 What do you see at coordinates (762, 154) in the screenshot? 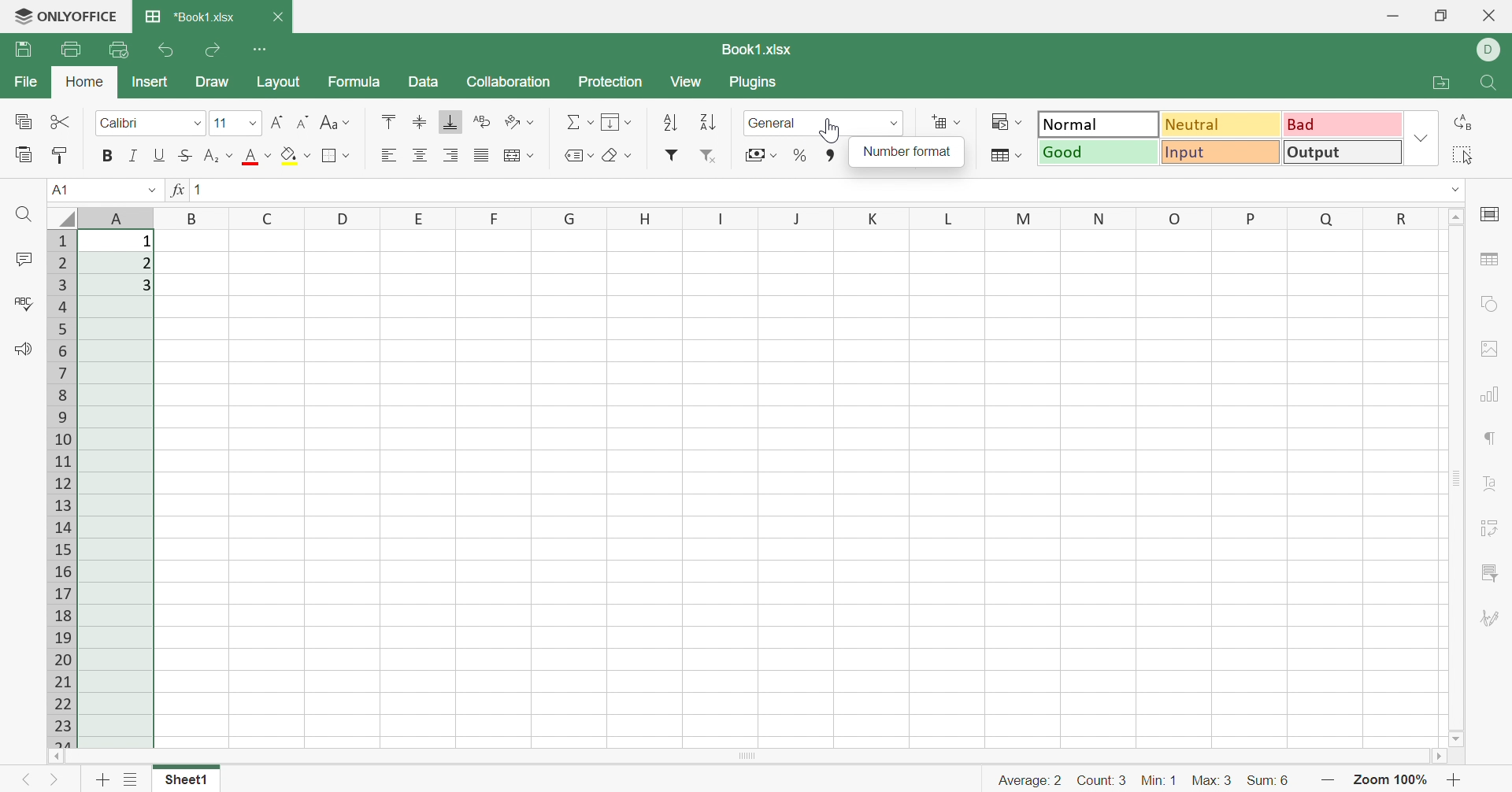
I see `Accountant style` at bounding box center [762, 154].